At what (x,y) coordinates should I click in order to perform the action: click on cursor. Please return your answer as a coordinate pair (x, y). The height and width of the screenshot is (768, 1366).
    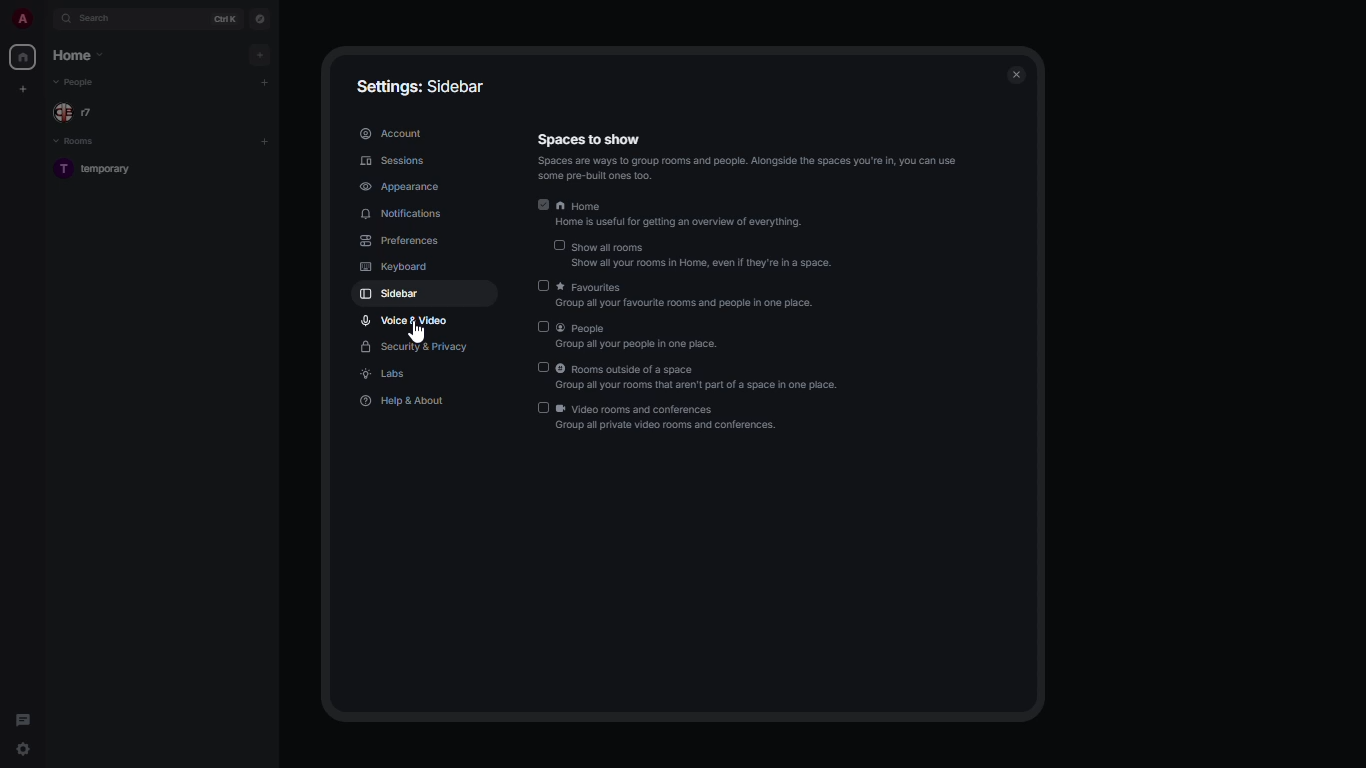
    Looking at the image, I should click on (417, 331).